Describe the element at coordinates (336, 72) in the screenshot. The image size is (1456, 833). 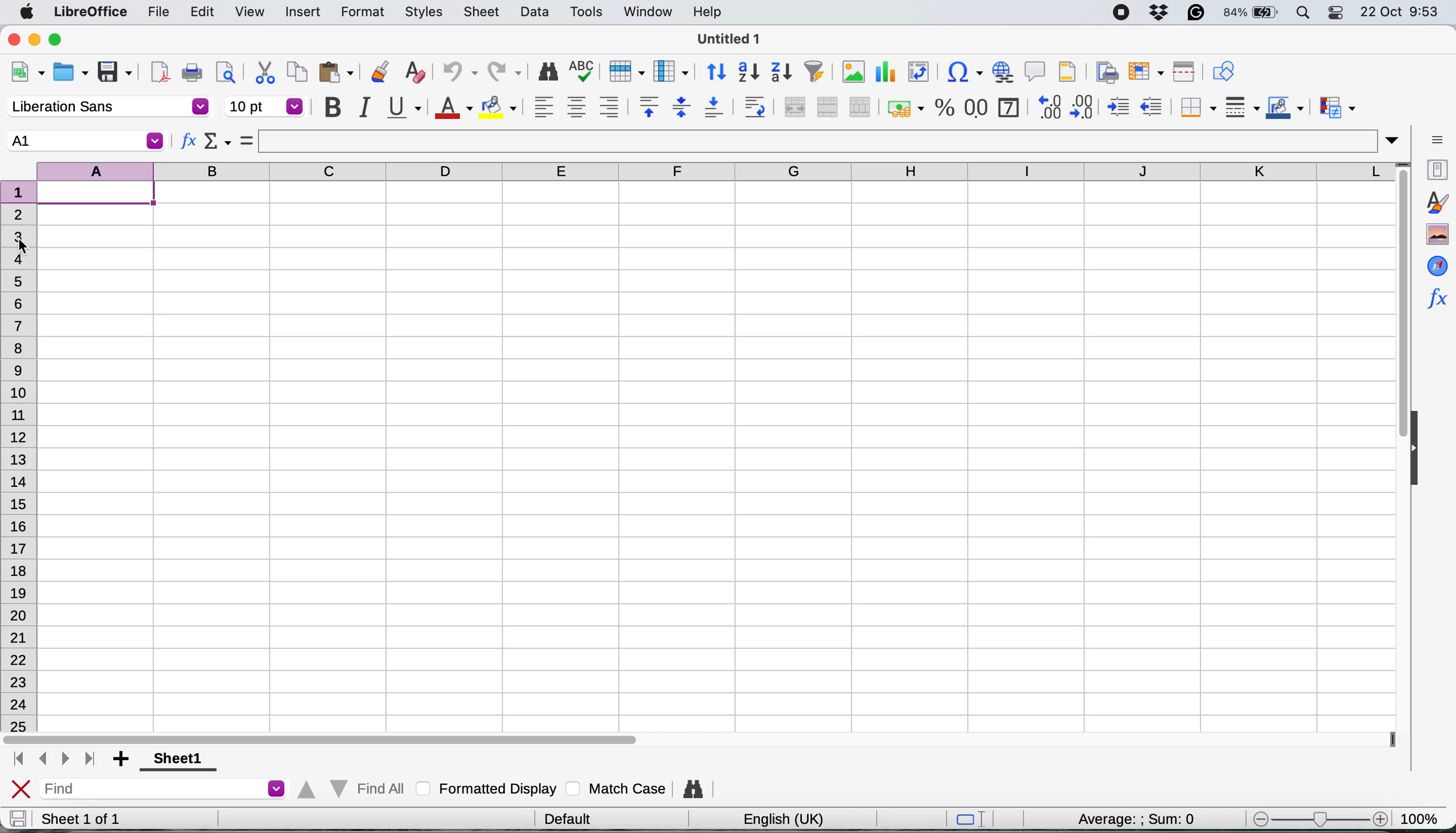
I see `paste` at that location.